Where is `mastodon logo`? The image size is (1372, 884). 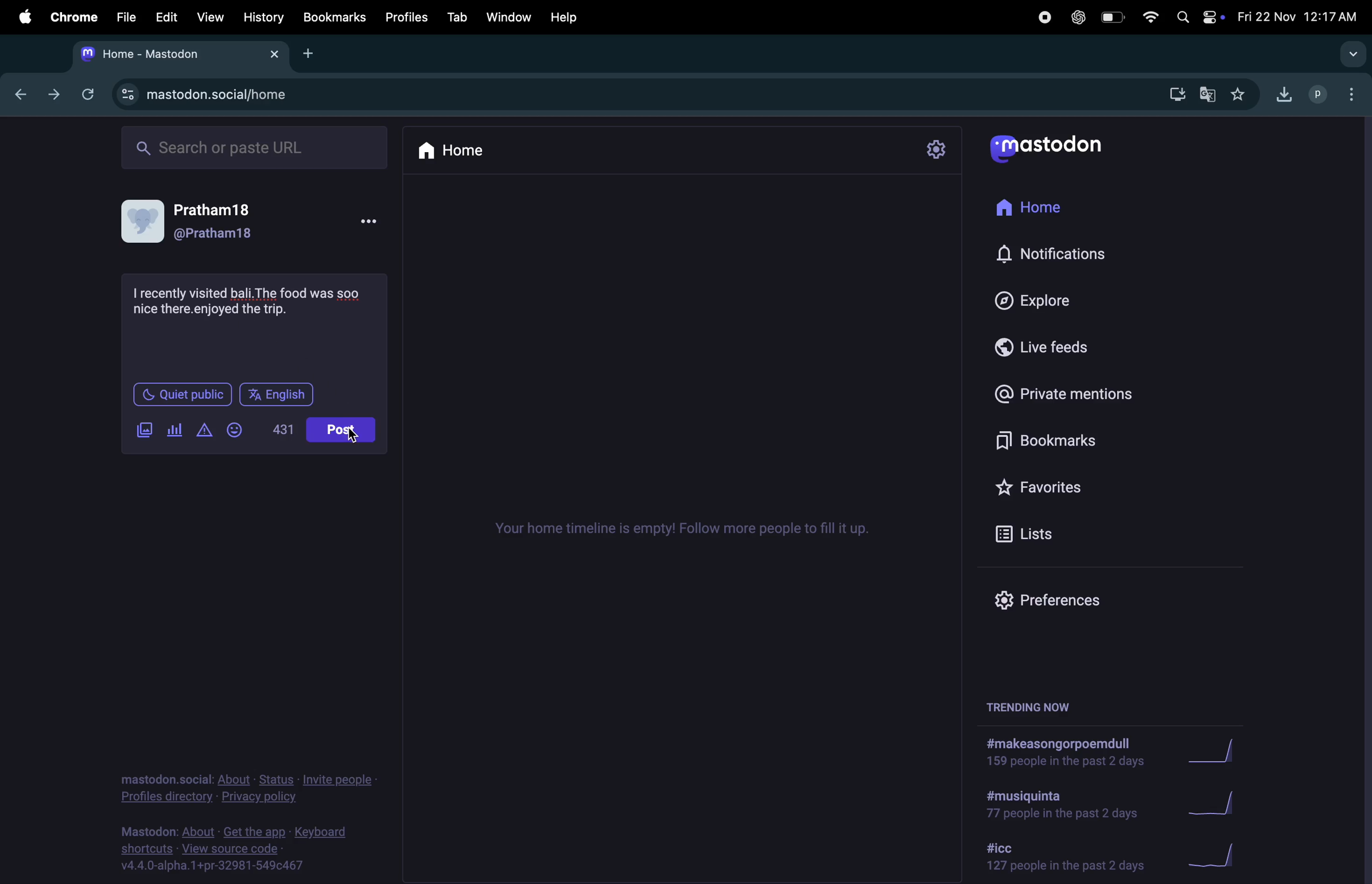
mastodon logo is located at coordinates (1061, 146).